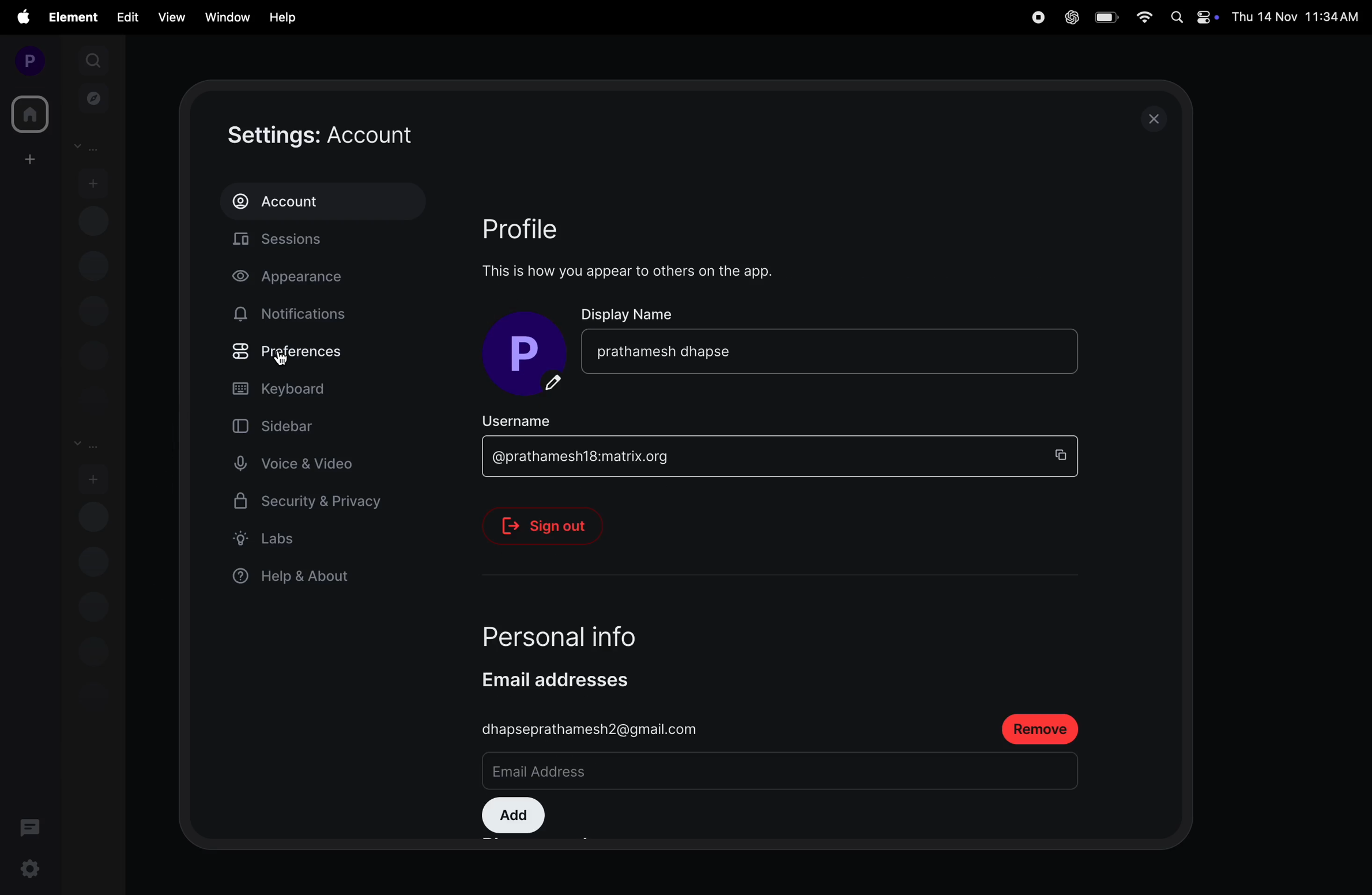  Describe the element at coordinates (711, 339) in the screenshot. I see `display name Prathamesh dhapse` at that location.